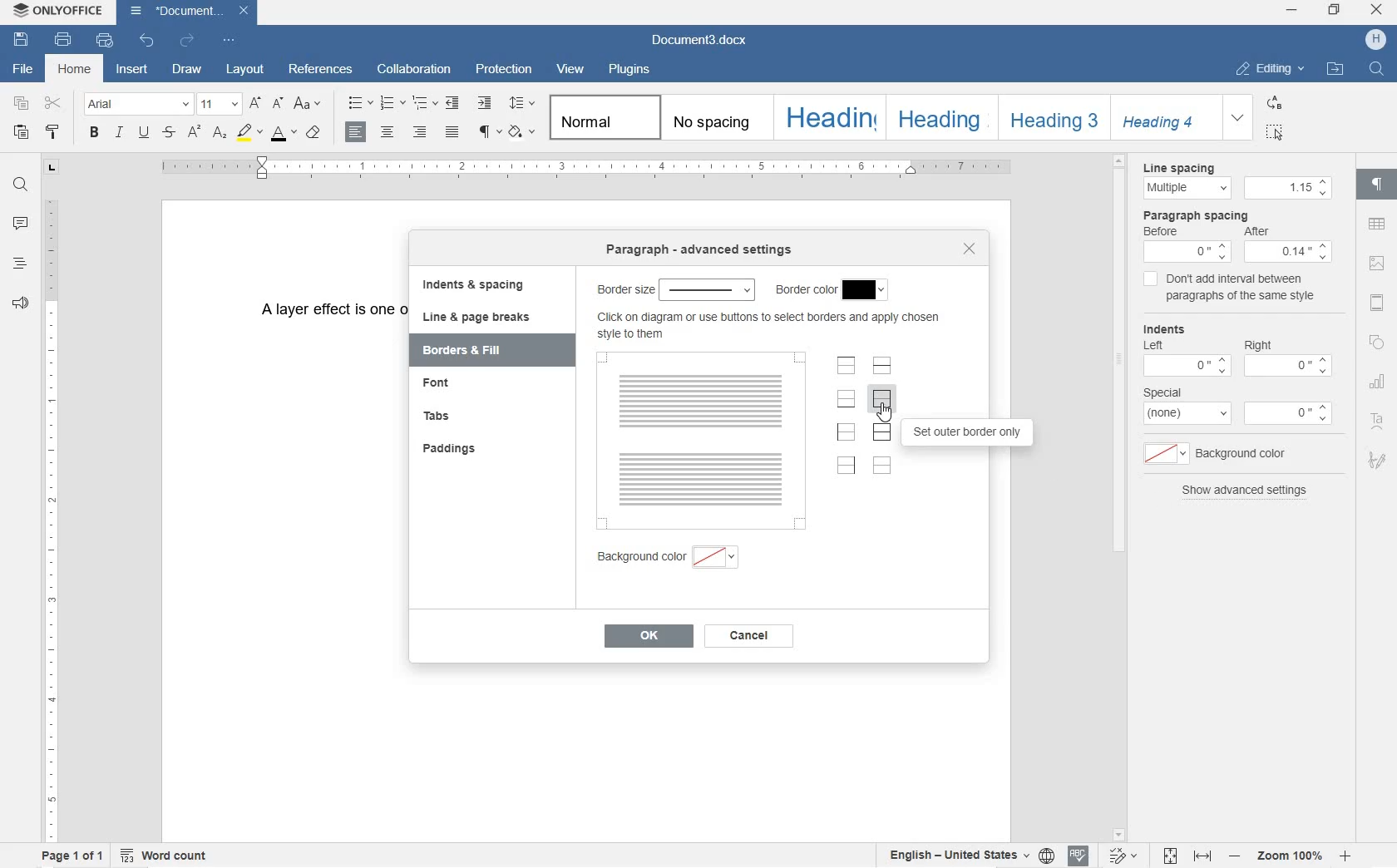 The image size is (1397, 868). I want to click on NONPRINTING CHARACTERS, so click(490, 132).